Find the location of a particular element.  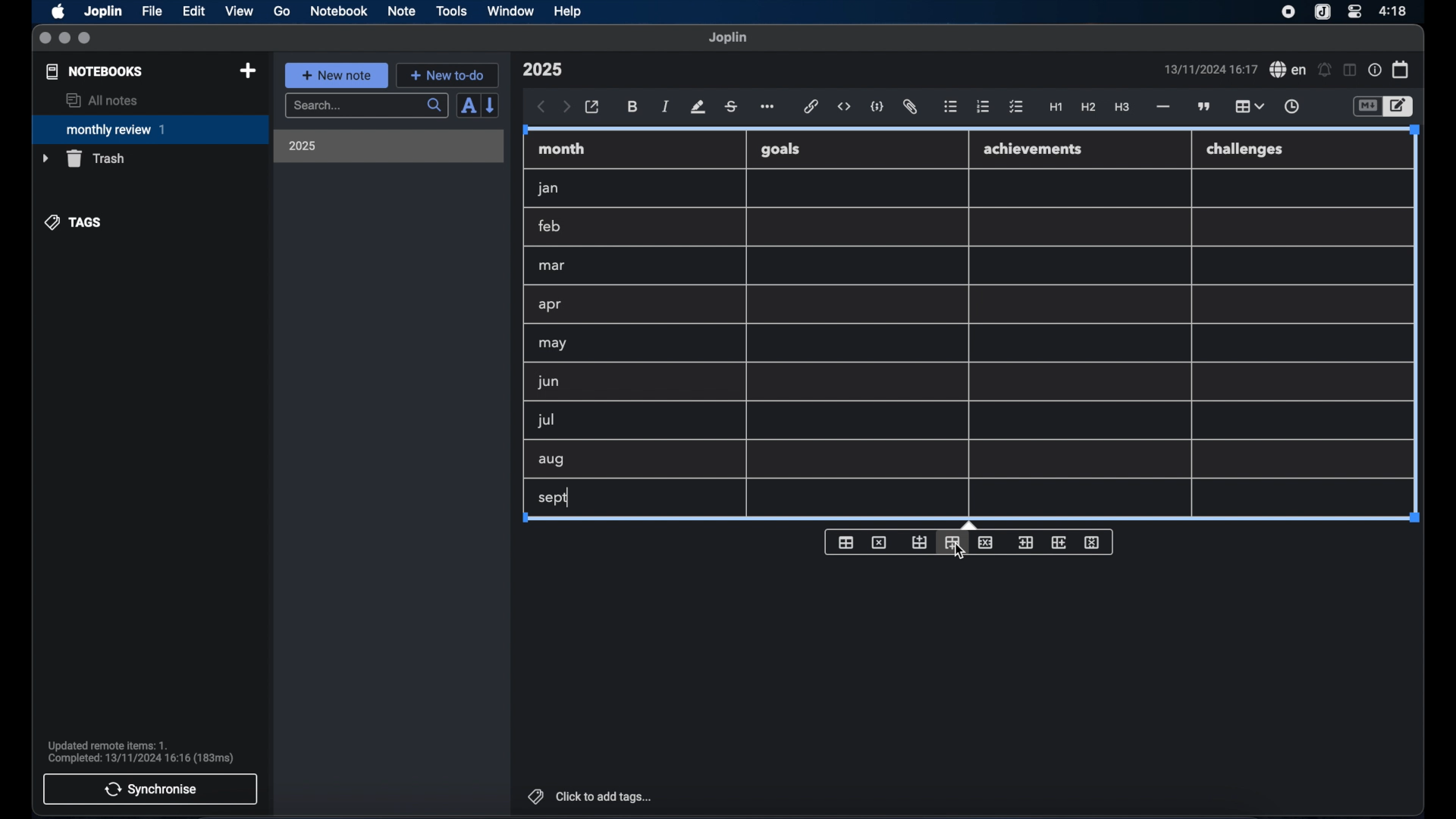

hyperlink is located at coordinates (811, 106).